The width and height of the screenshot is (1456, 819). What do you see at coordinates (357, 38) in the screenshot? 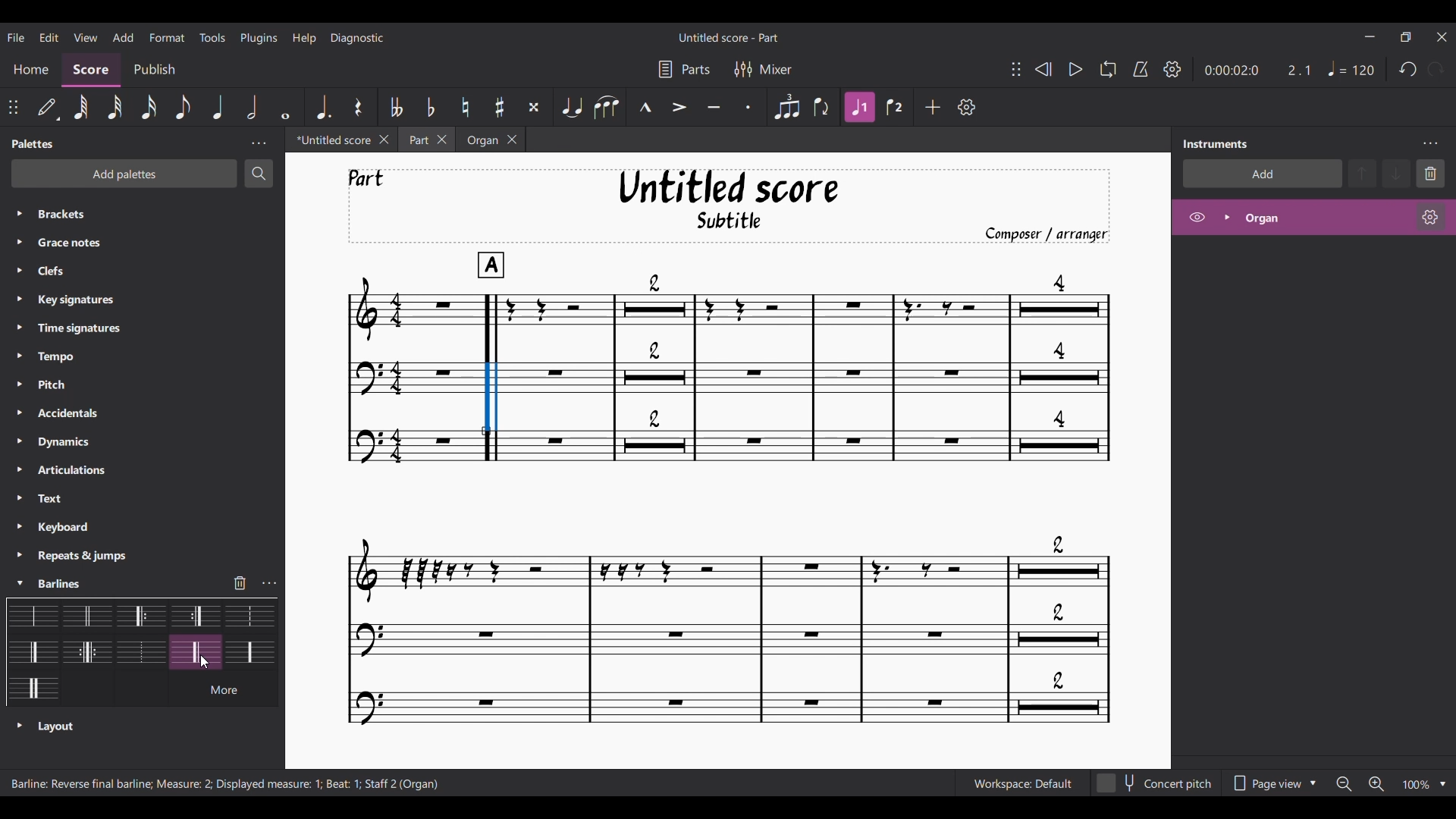
I see `Diagnostic menu` at bounding box center [357, 38].